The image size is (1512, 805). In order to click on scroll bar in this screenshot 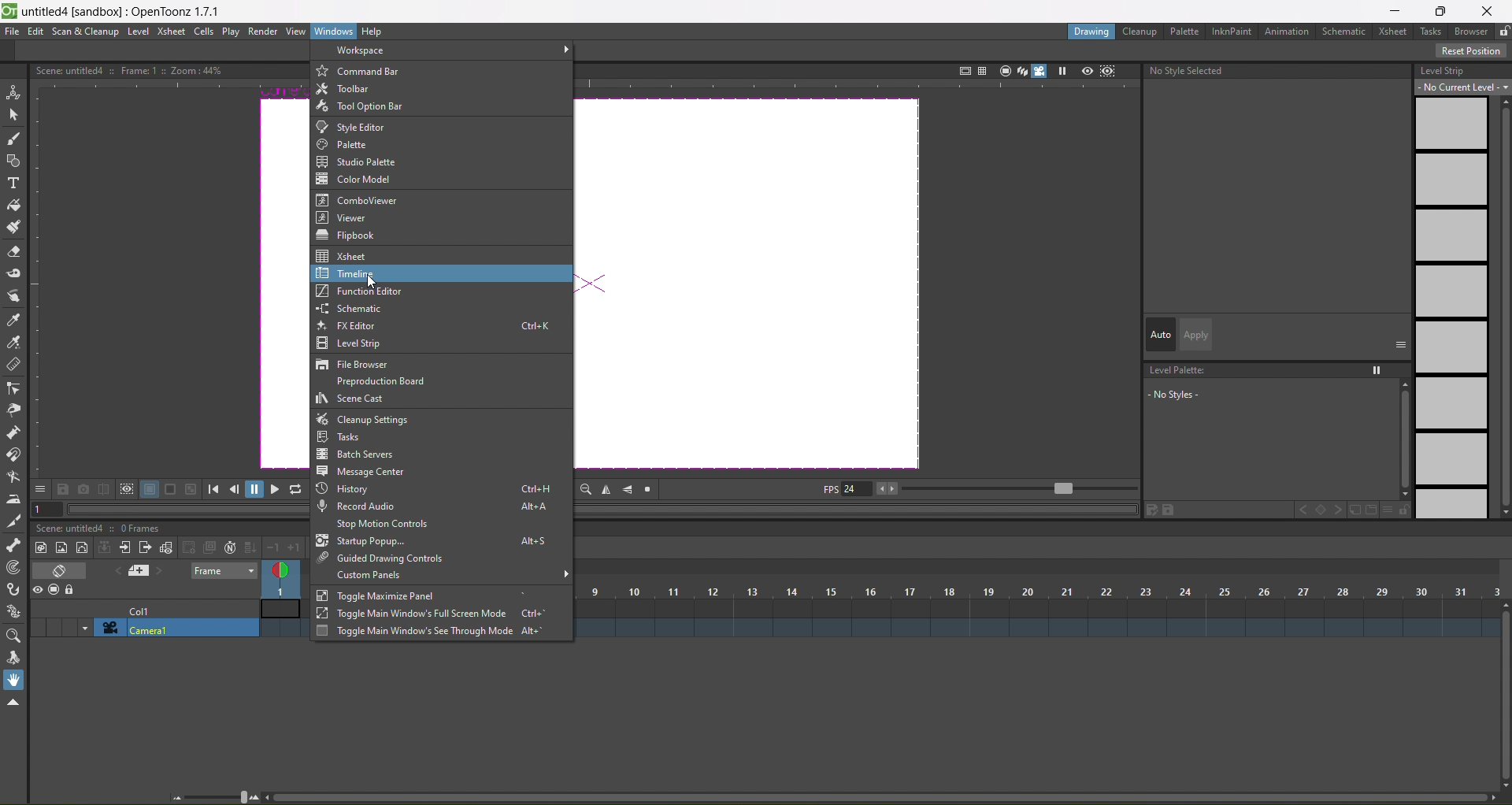, I will do `click(1503, 696)`.